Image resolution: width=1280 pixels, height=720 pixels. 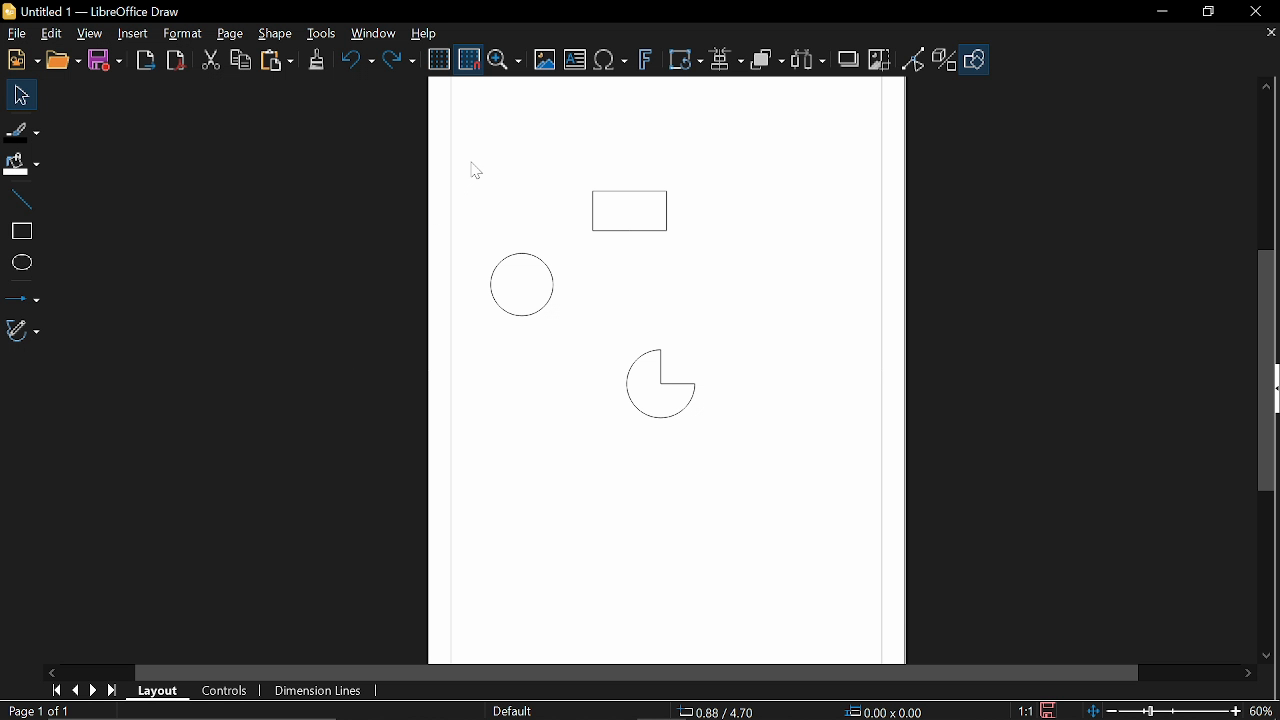 I want to click on Insert image, so click(x=544, y=60).